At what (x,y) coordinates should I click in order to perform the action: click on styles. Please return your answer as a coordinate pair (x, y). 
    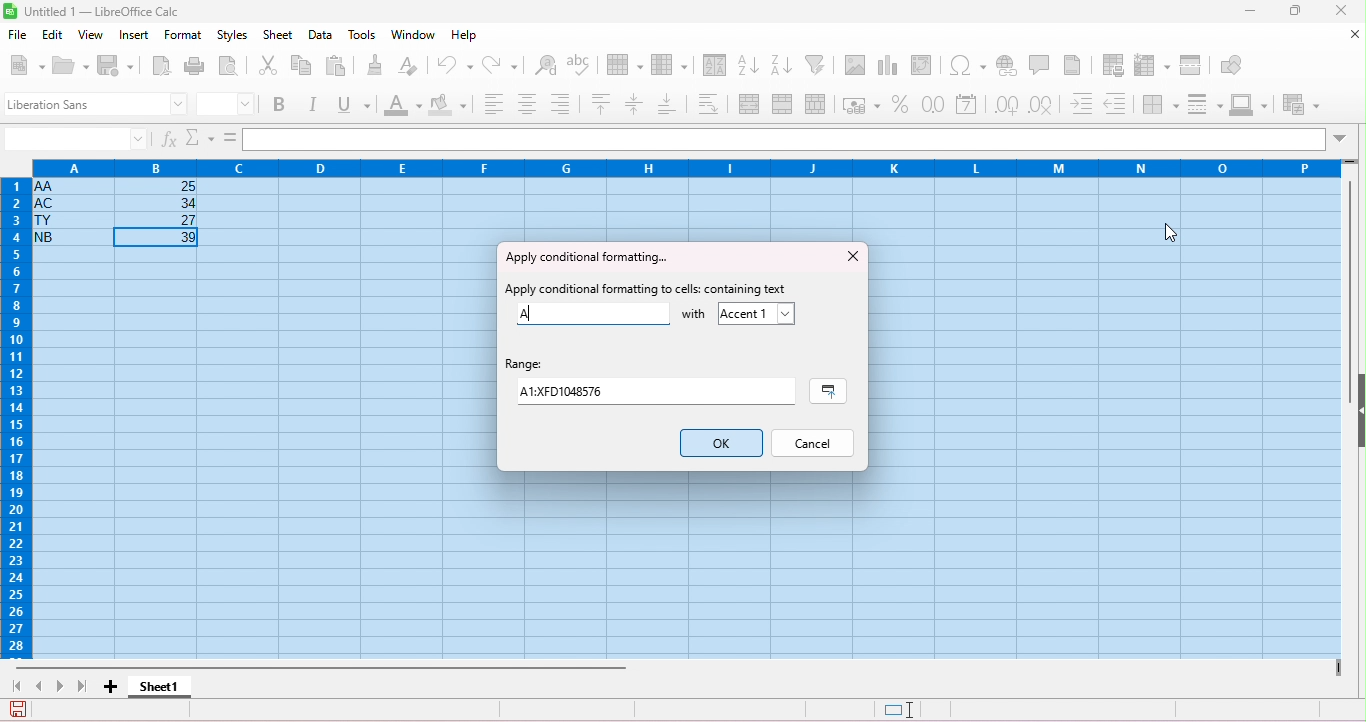
    Looking at the image, I should click on (236, 37).